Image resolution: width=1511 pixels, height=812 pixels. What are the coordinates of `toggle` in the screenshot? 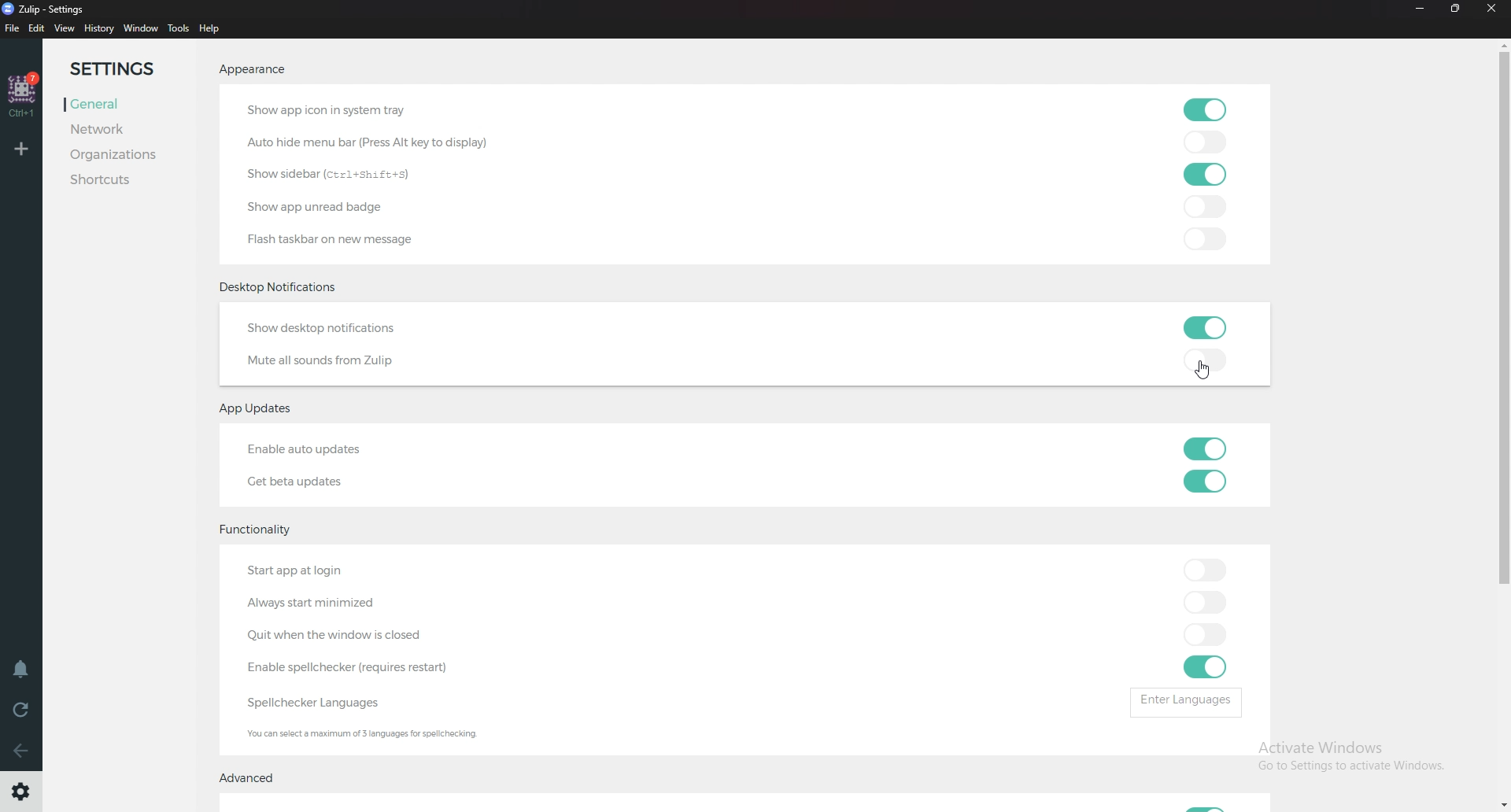 It's located at (1205, 142).